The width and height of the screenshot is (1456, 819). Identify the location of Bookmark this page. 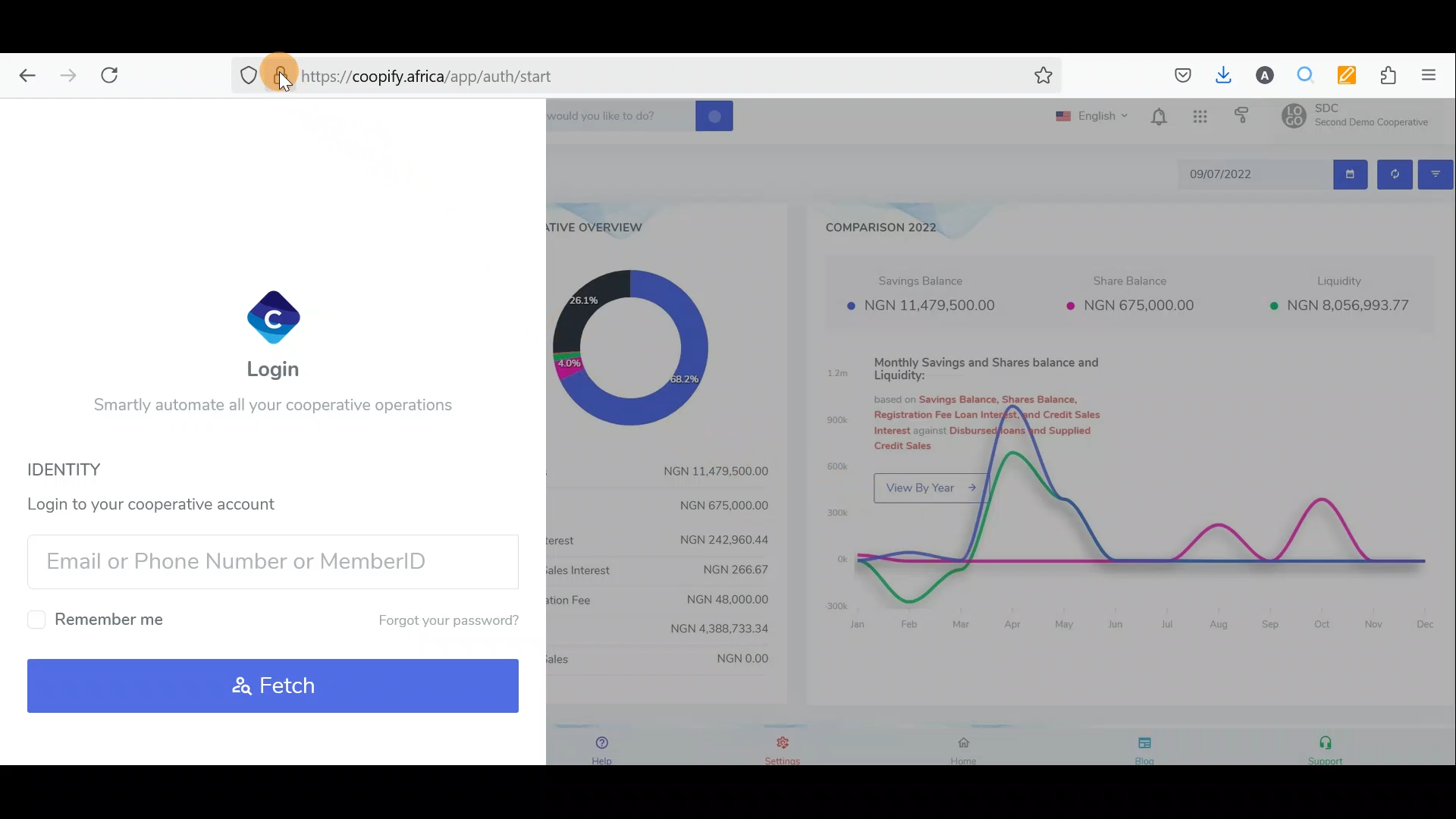
(1040, 78).